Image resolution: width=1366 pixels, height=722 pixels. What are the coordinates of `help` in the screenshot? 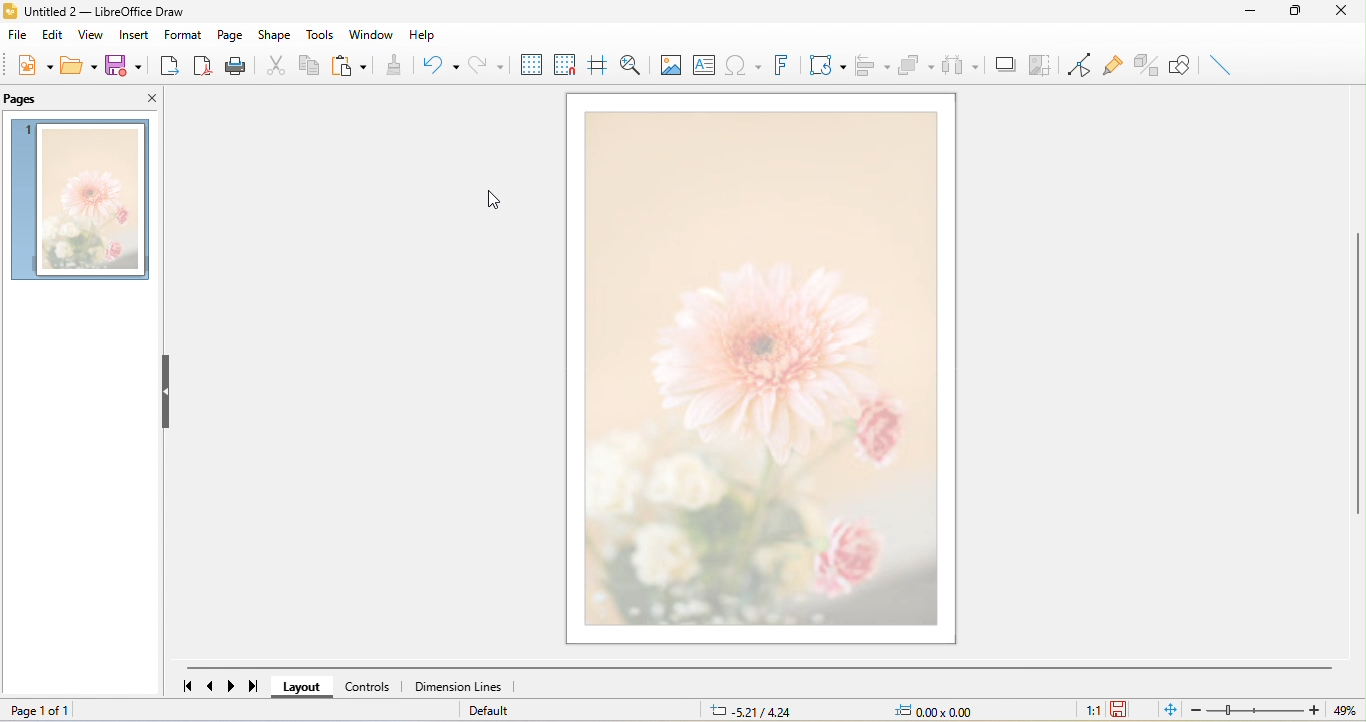 It's located at (427, 32).